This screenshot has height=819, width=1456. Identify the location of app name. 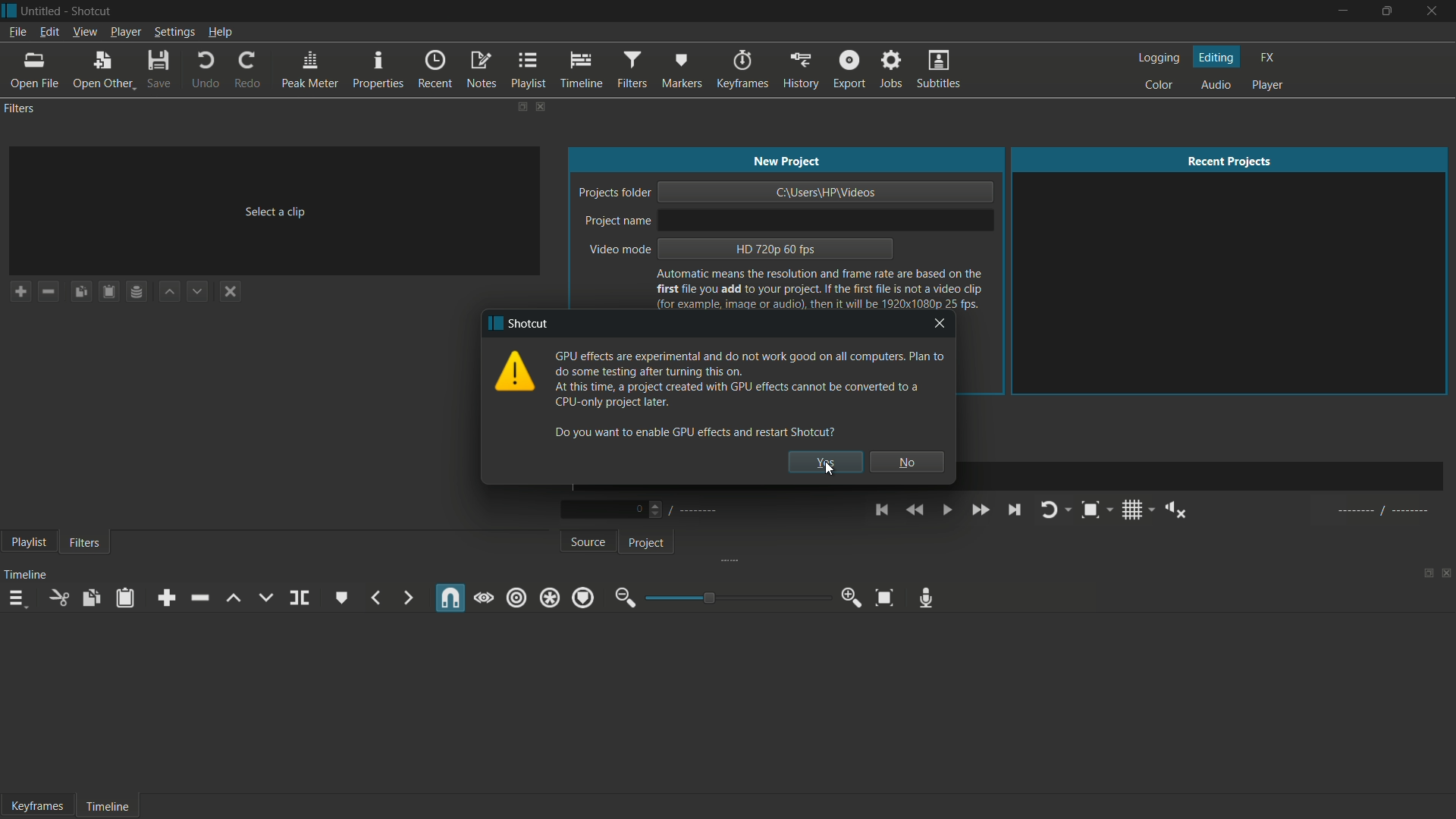
(94, 9).